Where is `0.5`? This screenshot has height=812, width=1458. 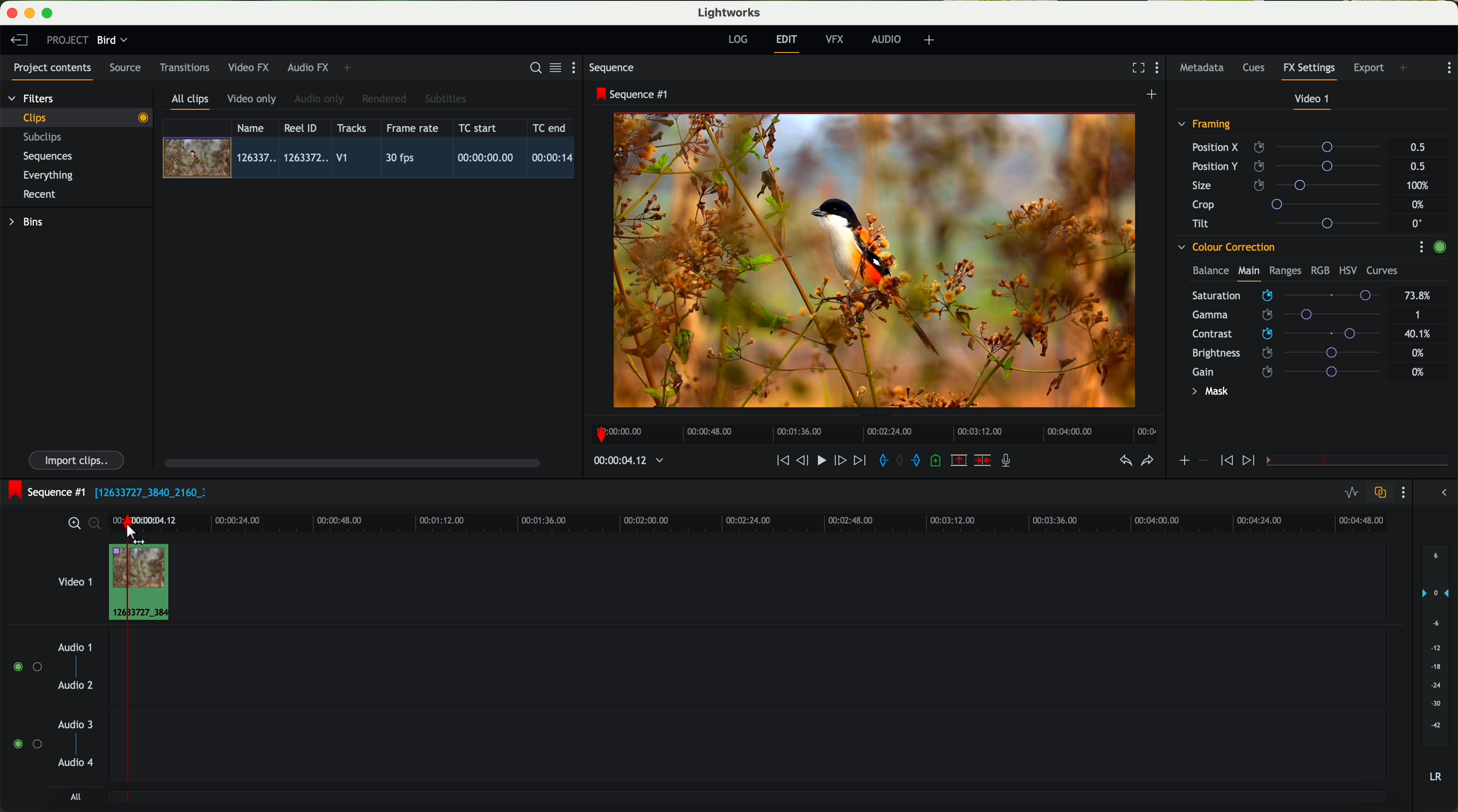 0.5 is located at coordinates (1418, 148).